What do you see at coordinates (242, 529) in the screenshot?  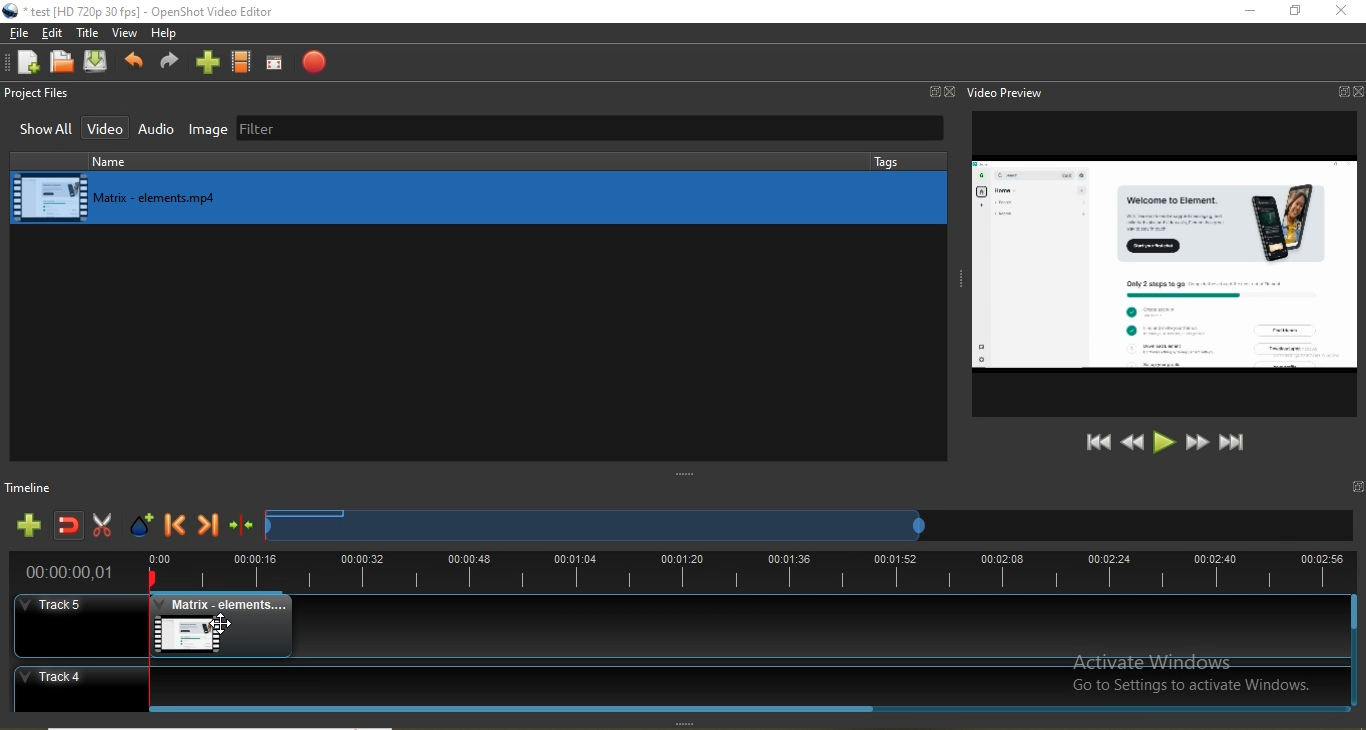 I see `Centre the timeline on the playhead` at bounding box center [242, 529].